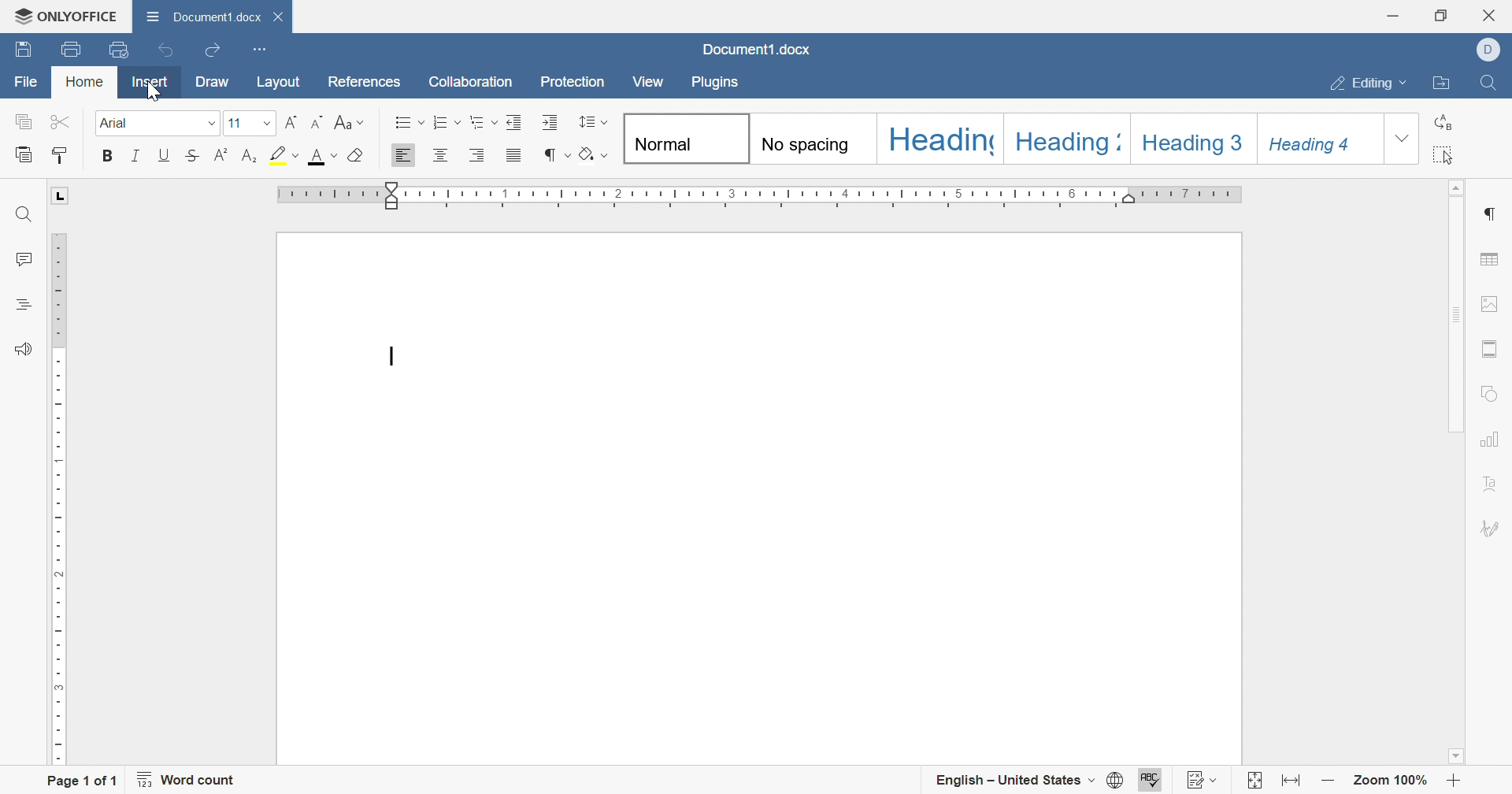 The height and width of the screenshot is (794, 1512). Describe the element at coordinates (136, 155) in the screenshot. I see `Italic` at that location.